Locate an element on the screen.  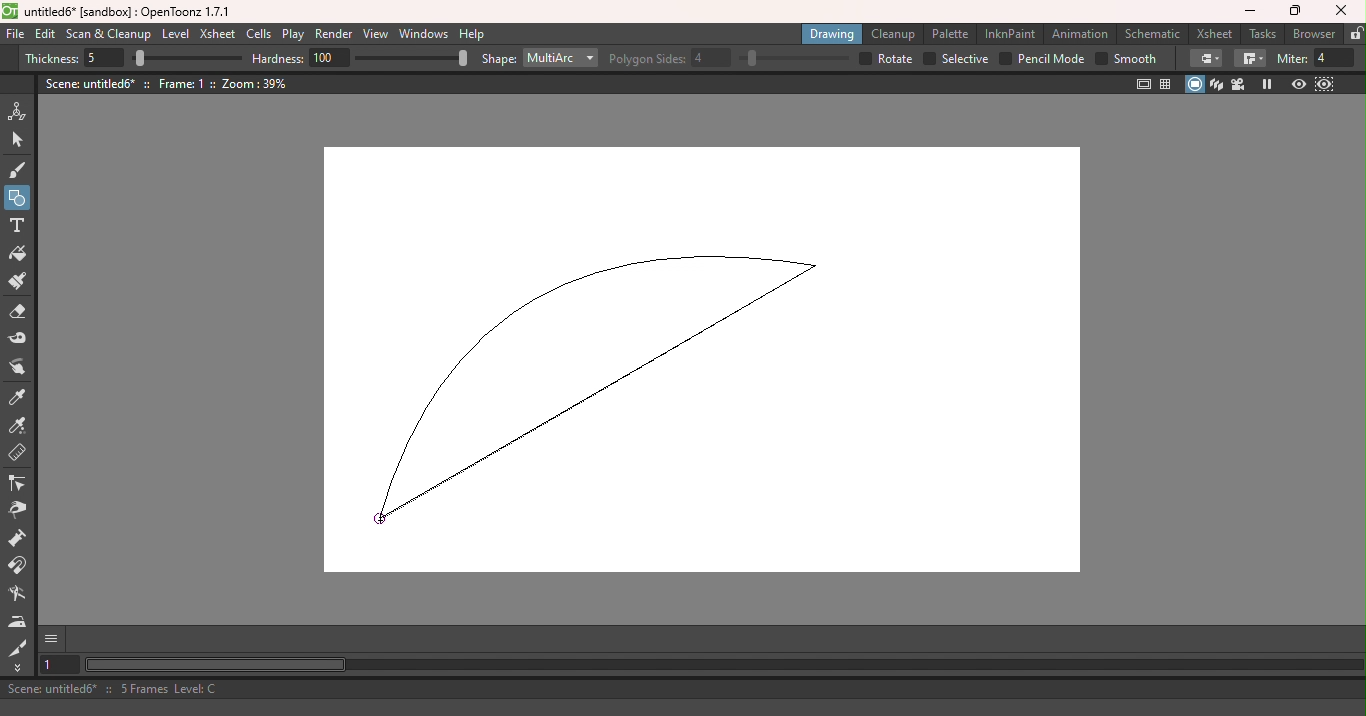
Field guide is located at coordinates (1168, 85).